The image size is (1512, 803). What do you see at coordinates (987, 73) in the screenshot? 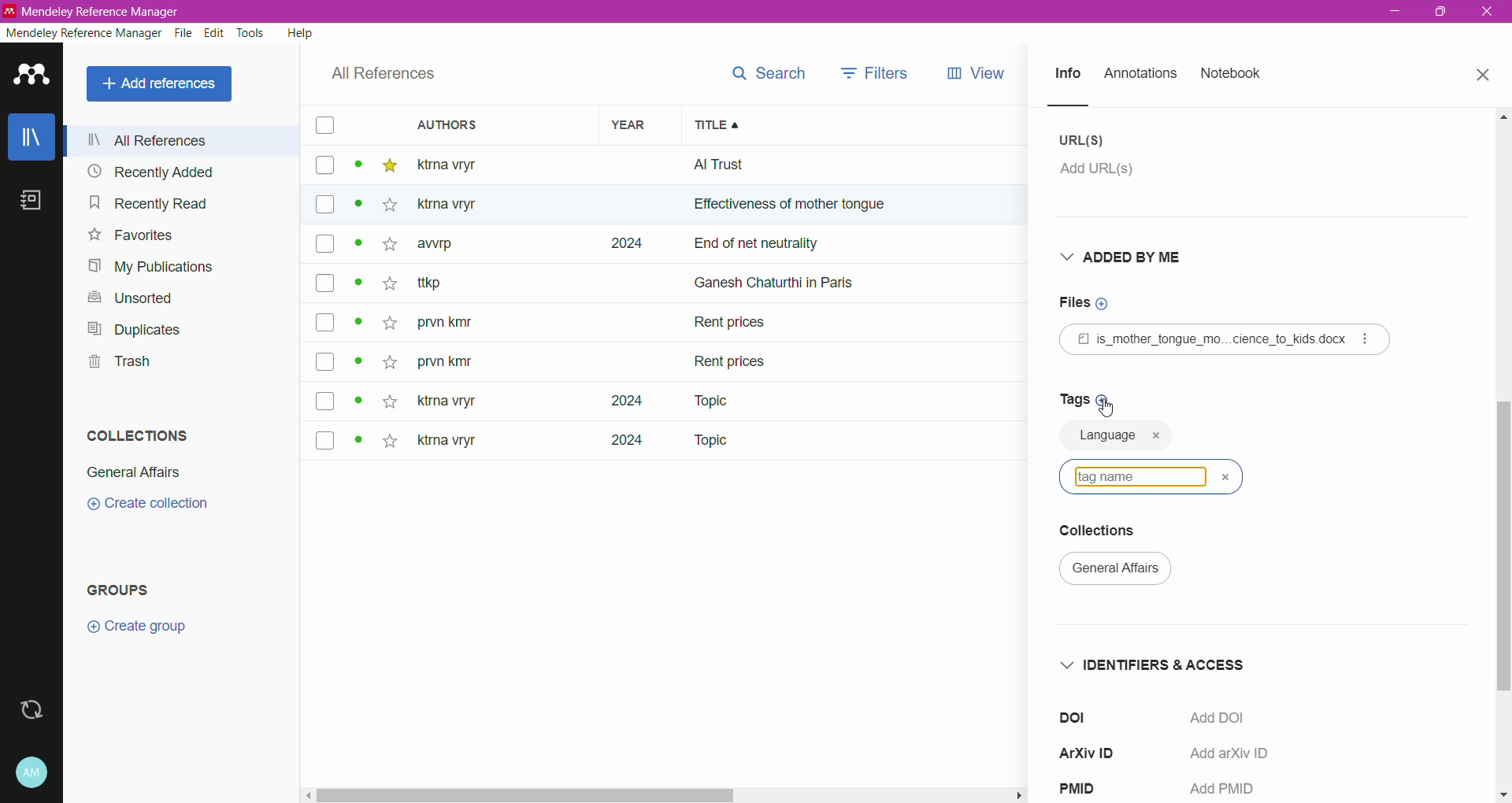
I see `views ` at bounding box center [987, 73].